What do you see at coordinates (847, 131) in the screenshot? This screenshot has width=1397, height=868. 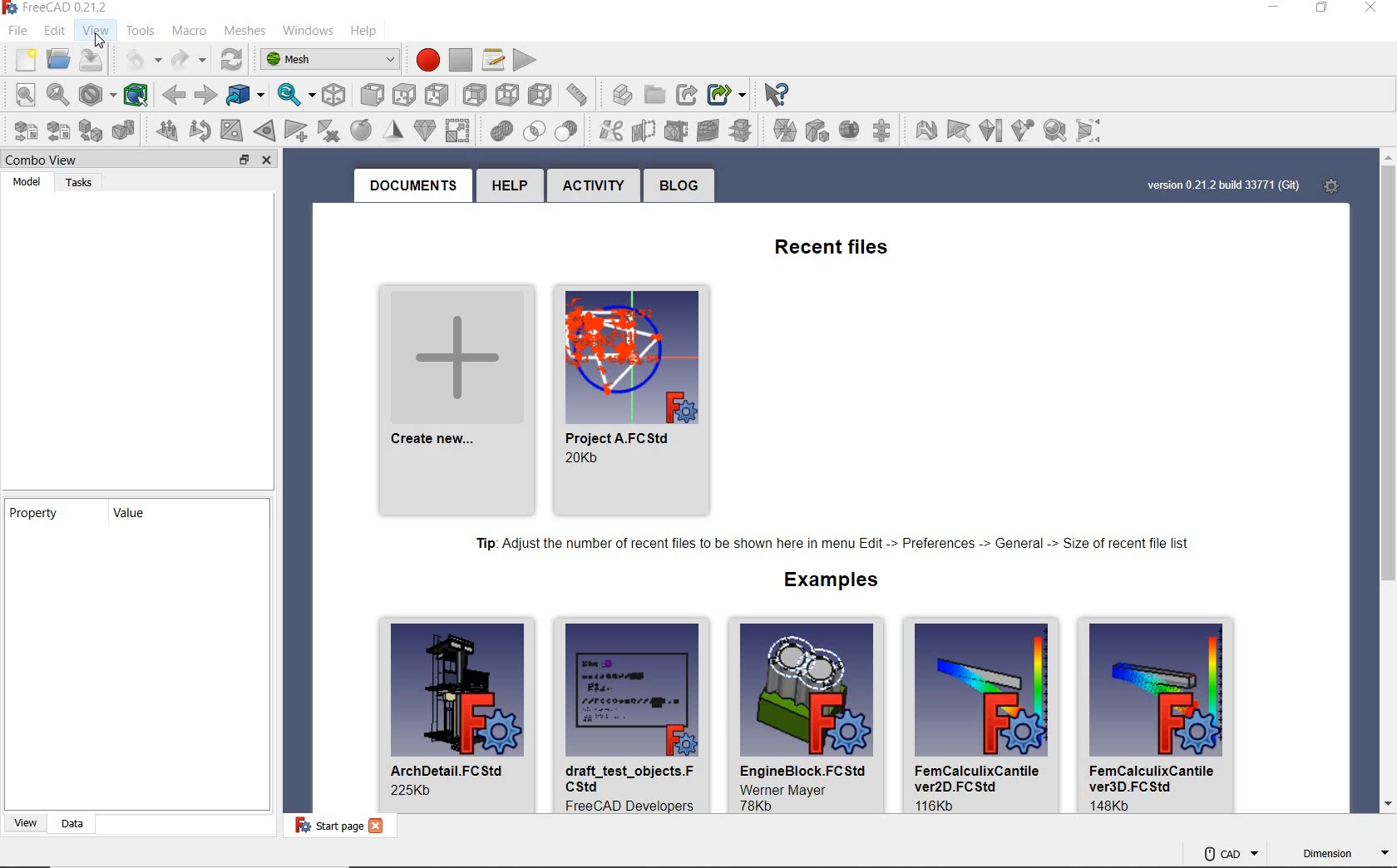 I see `create mesh segments from best-fit surfaces` at bounding box center [847, 131].